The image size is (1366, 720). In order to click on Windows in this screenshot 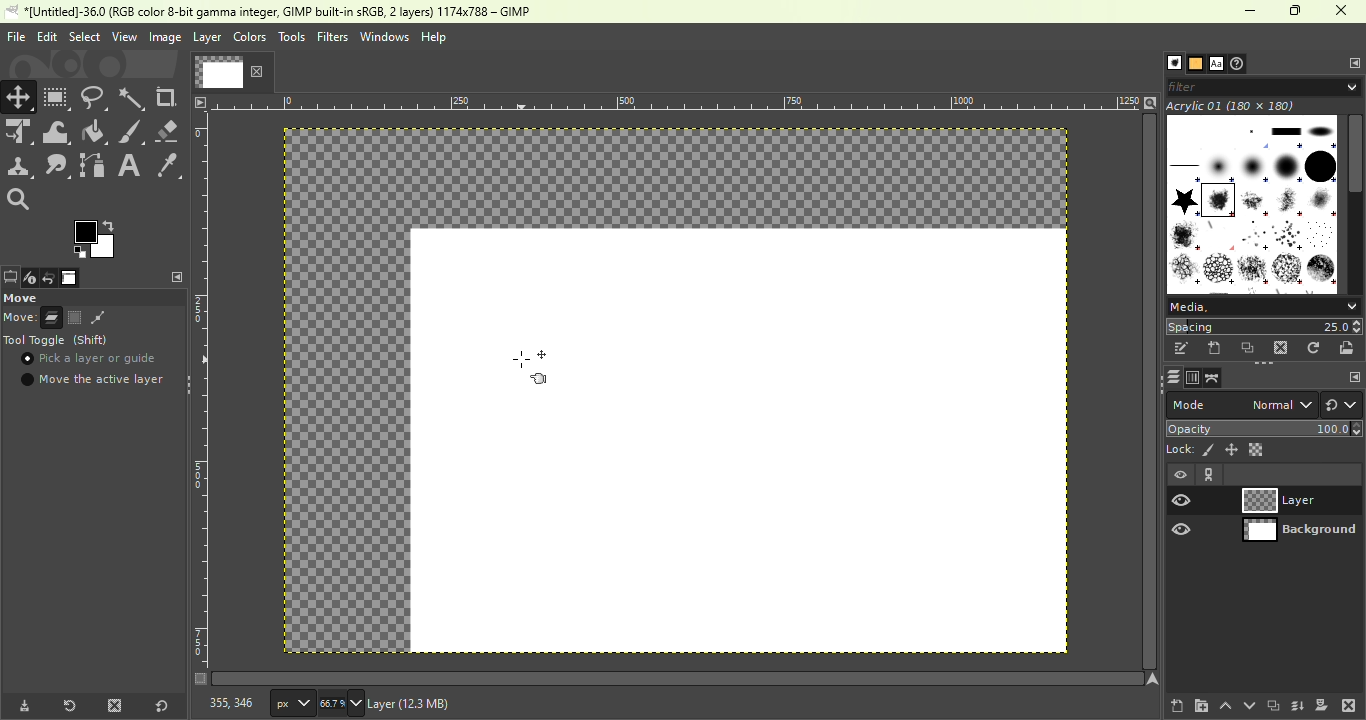, I will do `click(384, 37)`.